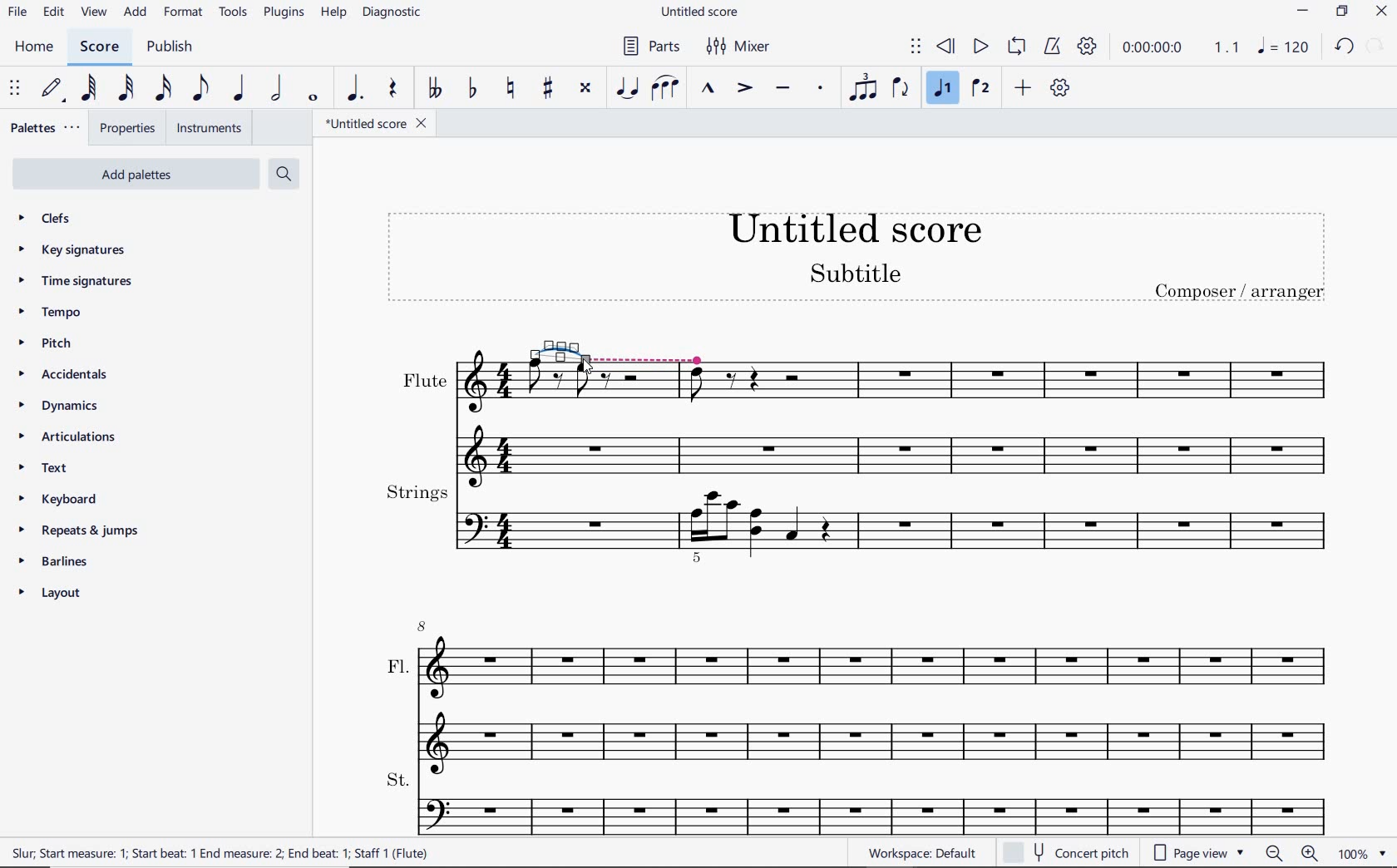  I want to click on page view, so click(1197, 852).